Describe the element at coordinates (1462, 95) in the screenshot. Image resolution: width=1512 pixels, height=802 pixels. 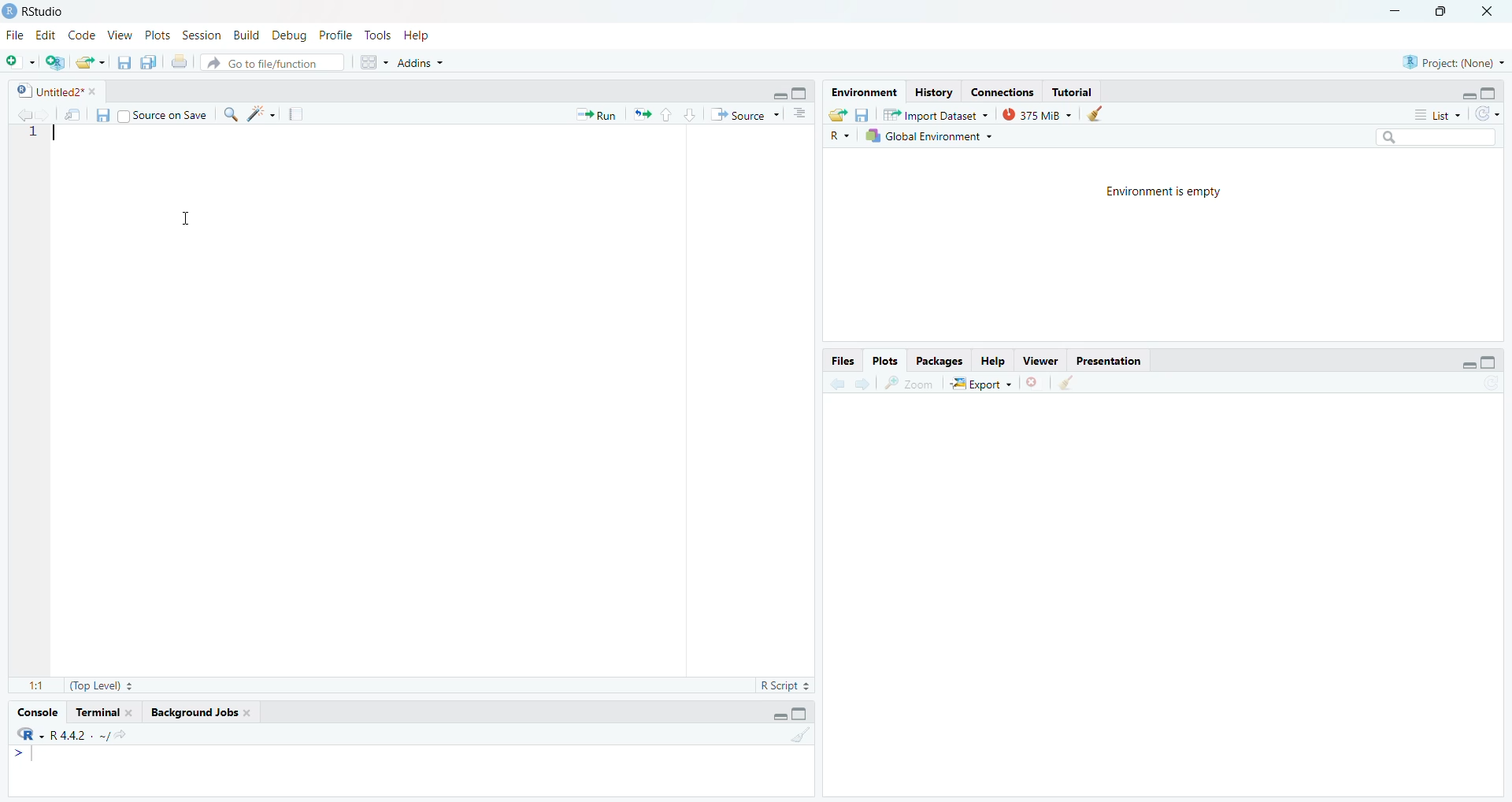
I see `hide r script` at that location.